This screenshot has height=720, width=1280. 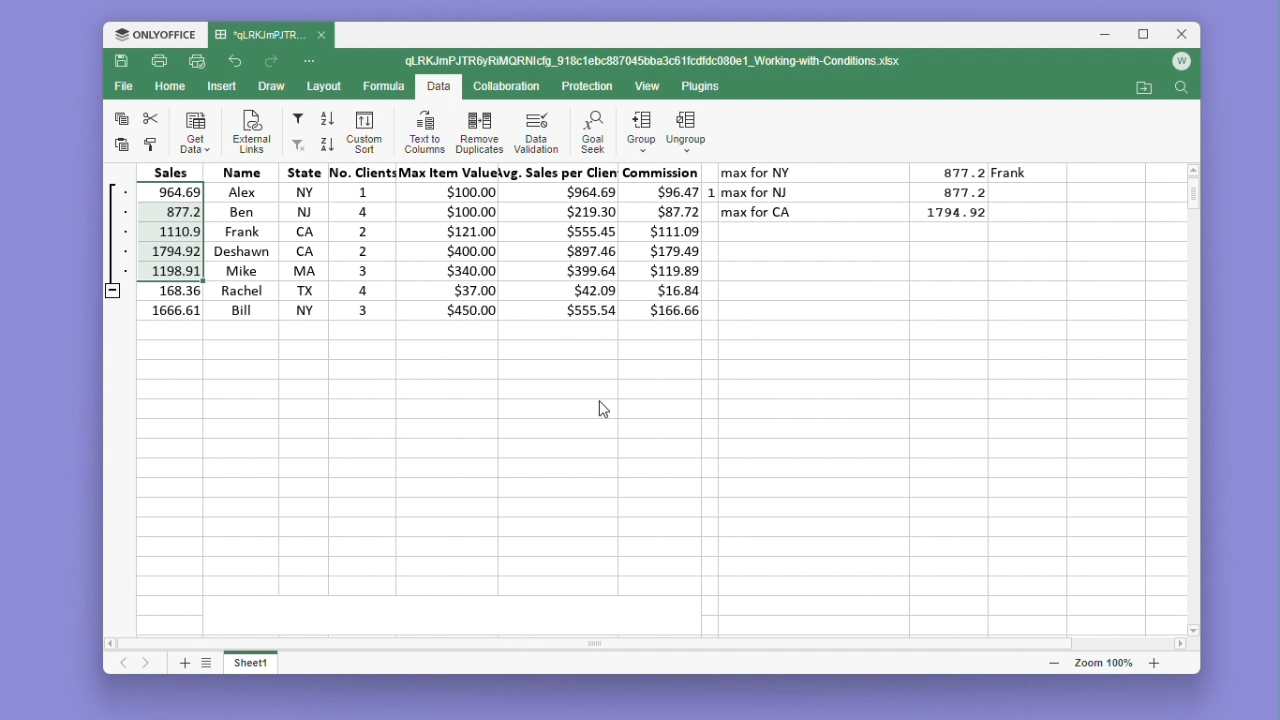 I want to click on Text to columns, so click(x=424, y=131).